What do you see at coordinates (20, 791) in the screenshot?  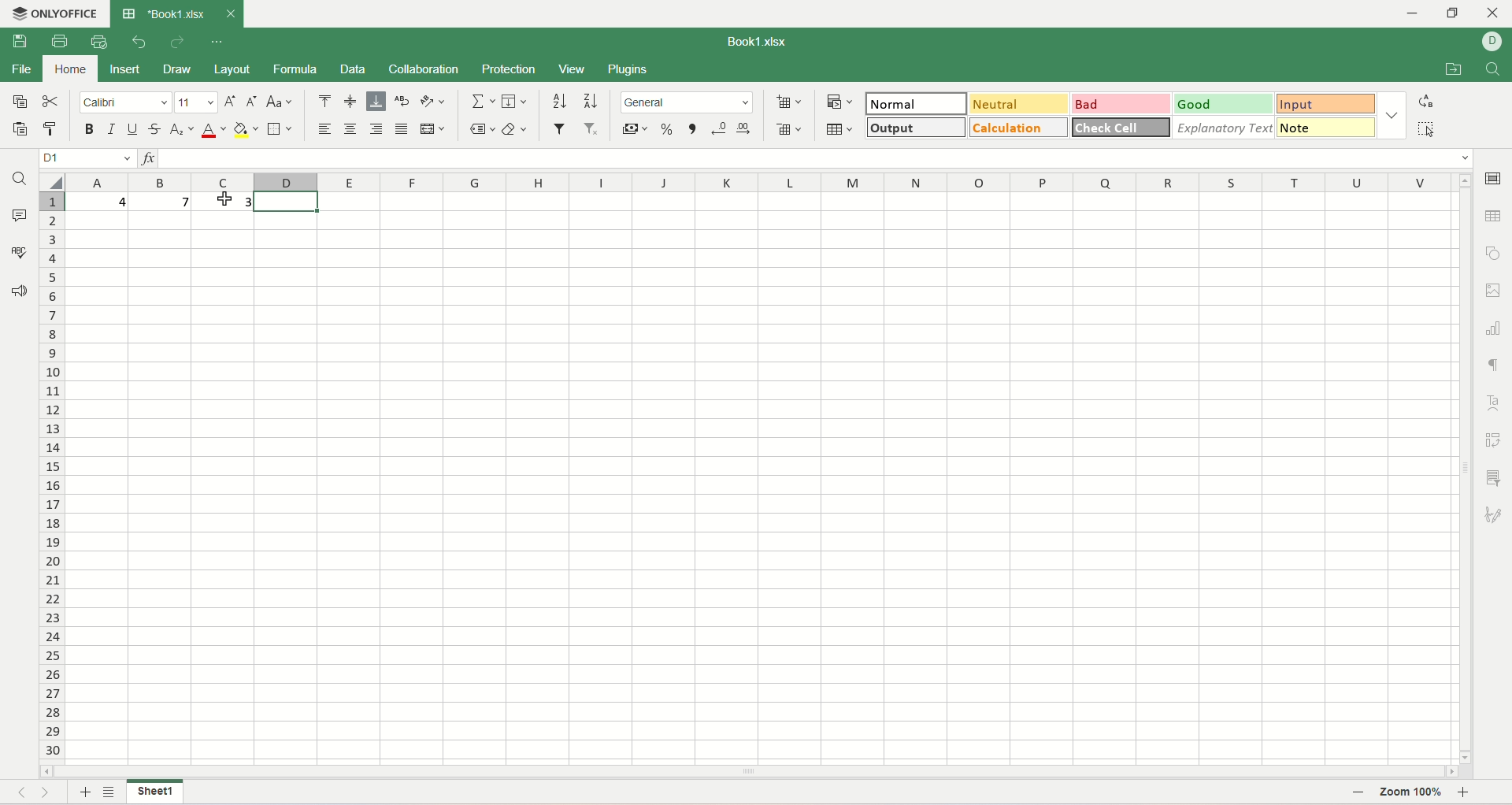 I see `previous` at bounding box center [20, 791].